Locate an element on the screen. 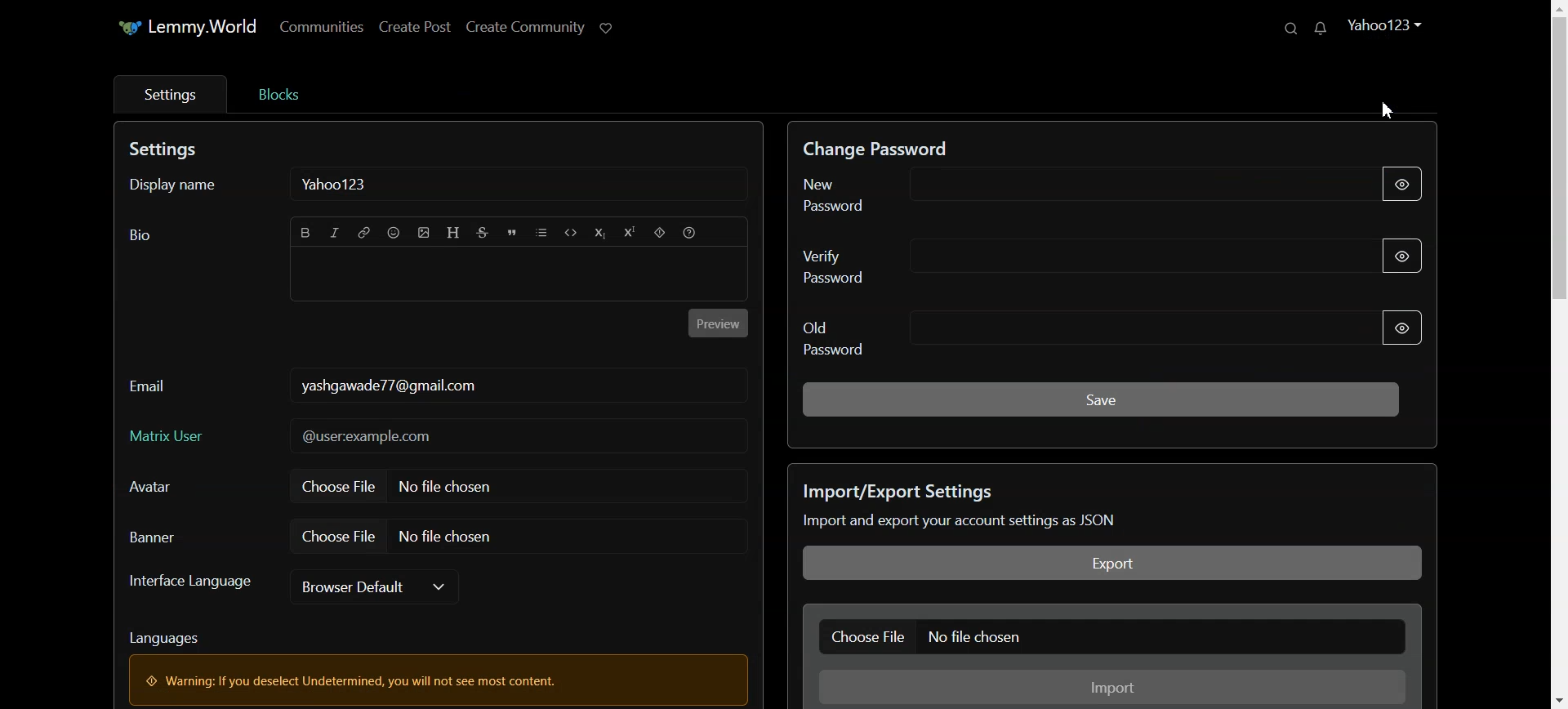 The width and height of the screenshot is (1568, 709). Unread Messages is located at coordinates (1318, 28).